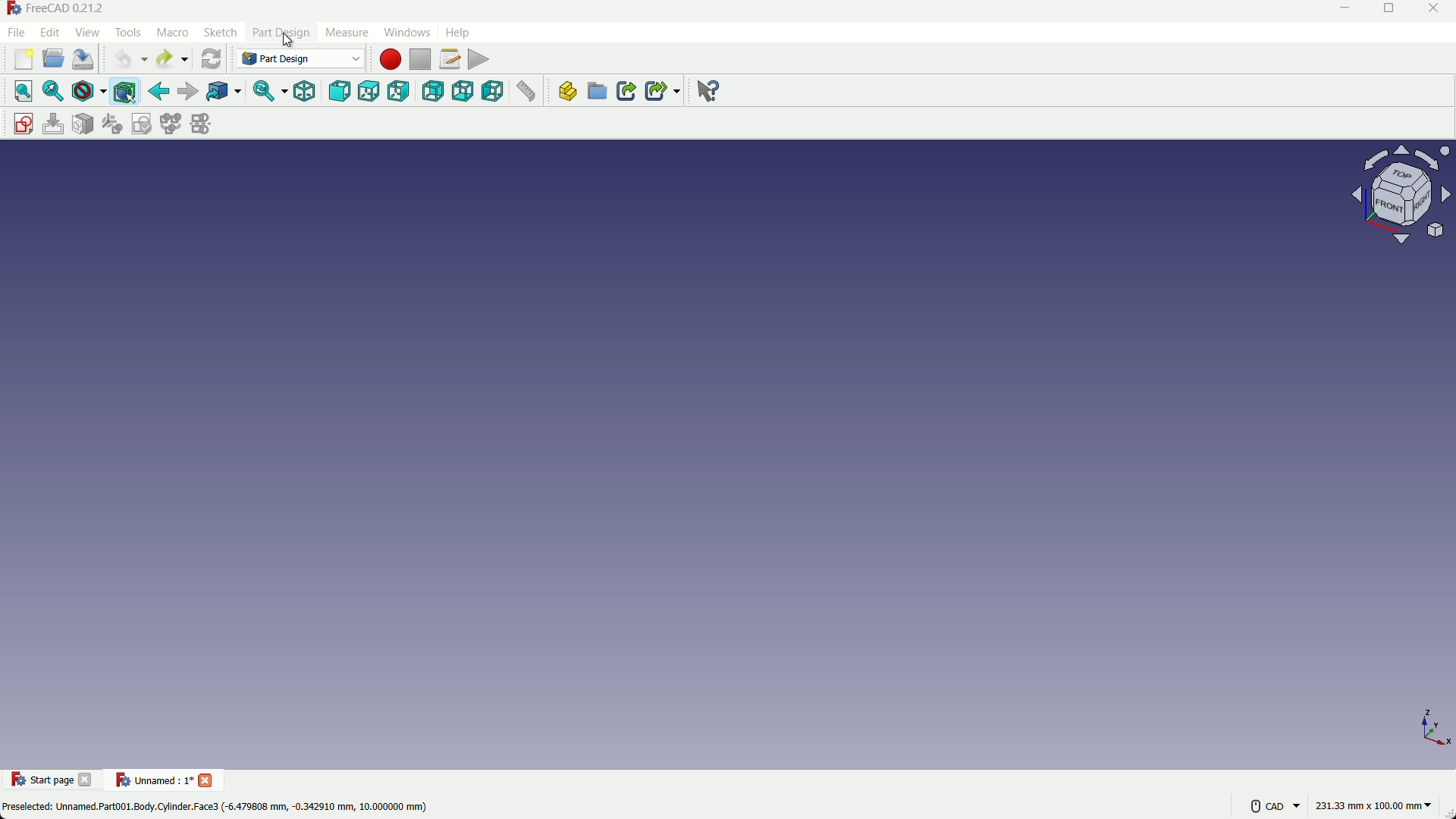 This screenshot has height=819, width=1456. What do you see at coordinates (663, 91) in the screenshot?
I see `create sub link` at bounding box center [663, 91].